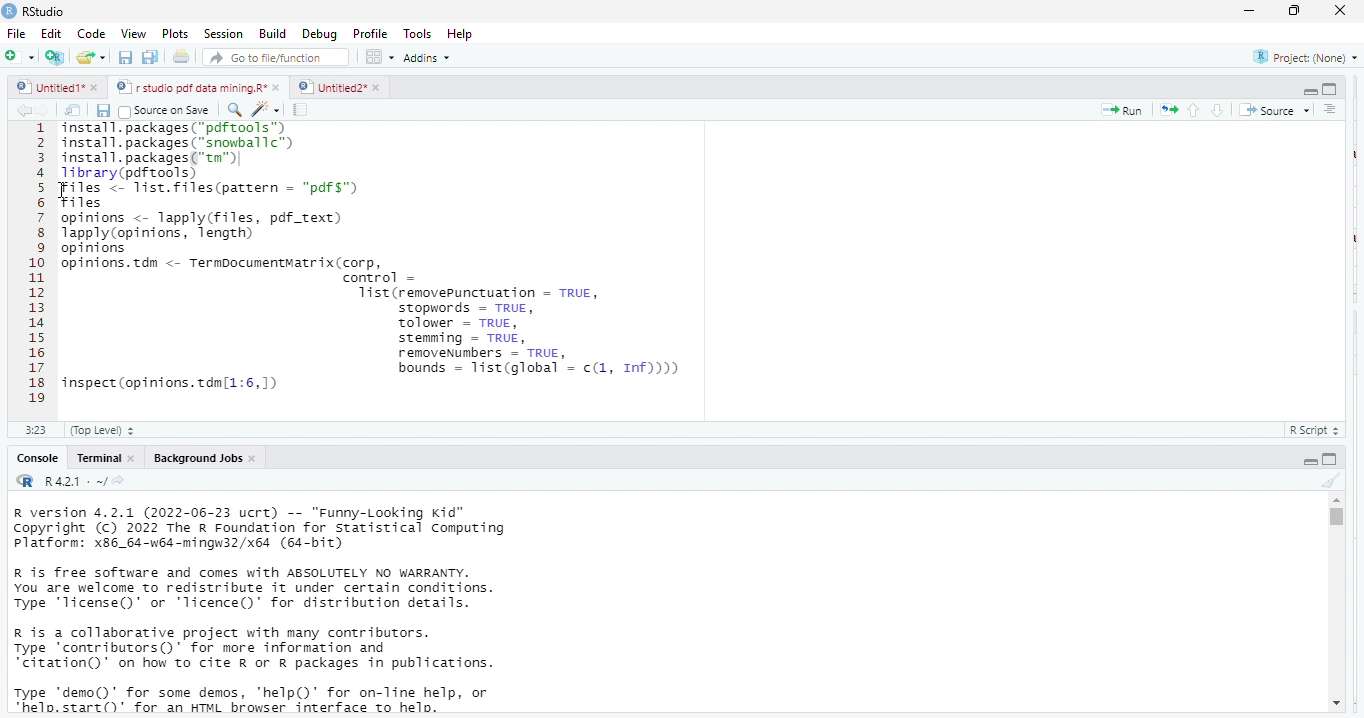  Describe the element at coordinates (272, 56) in the screenshot. I see `go to file /function` at that location.